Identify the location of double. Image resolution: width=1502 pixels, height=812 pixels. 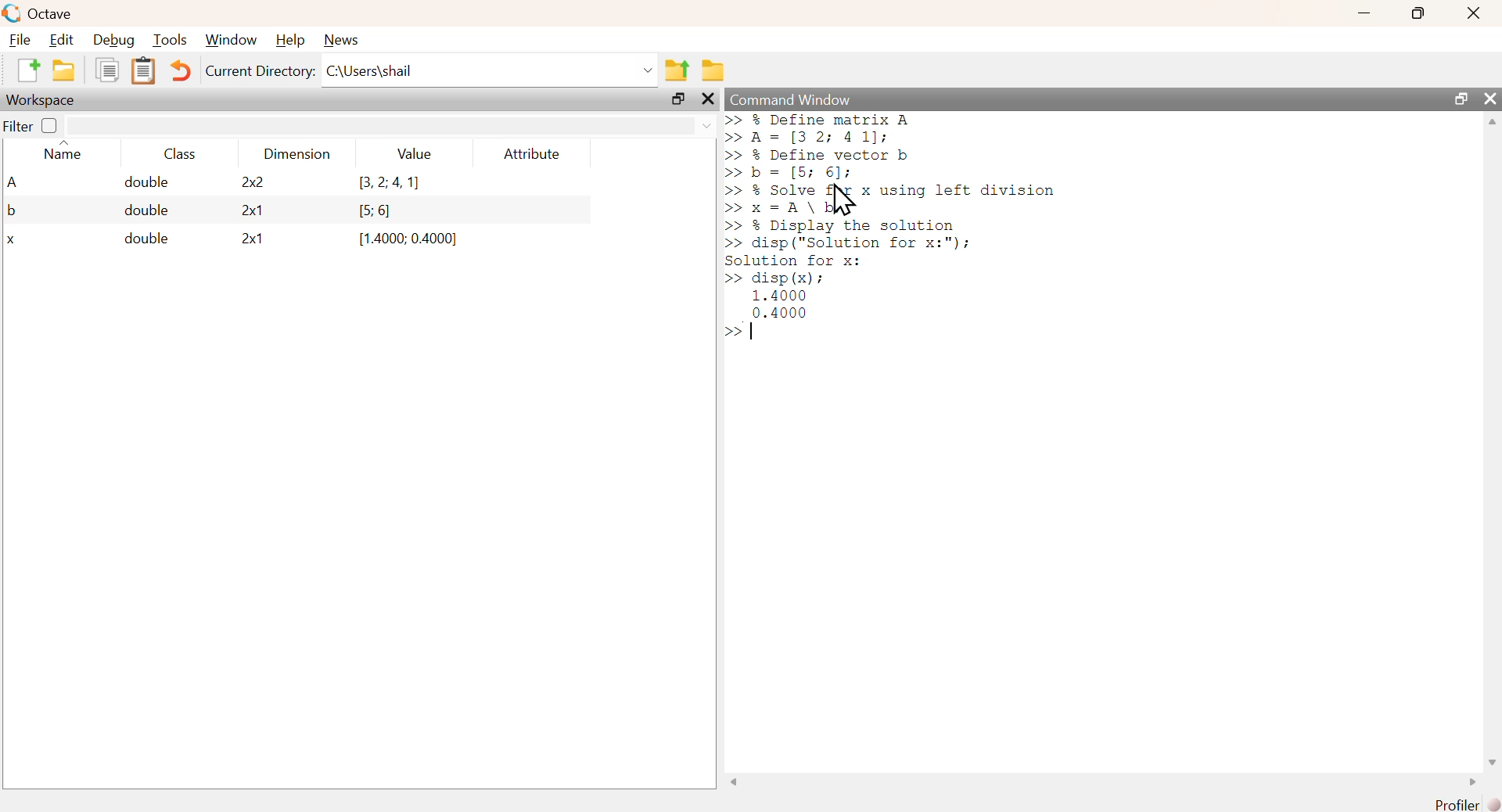
(140, 210).